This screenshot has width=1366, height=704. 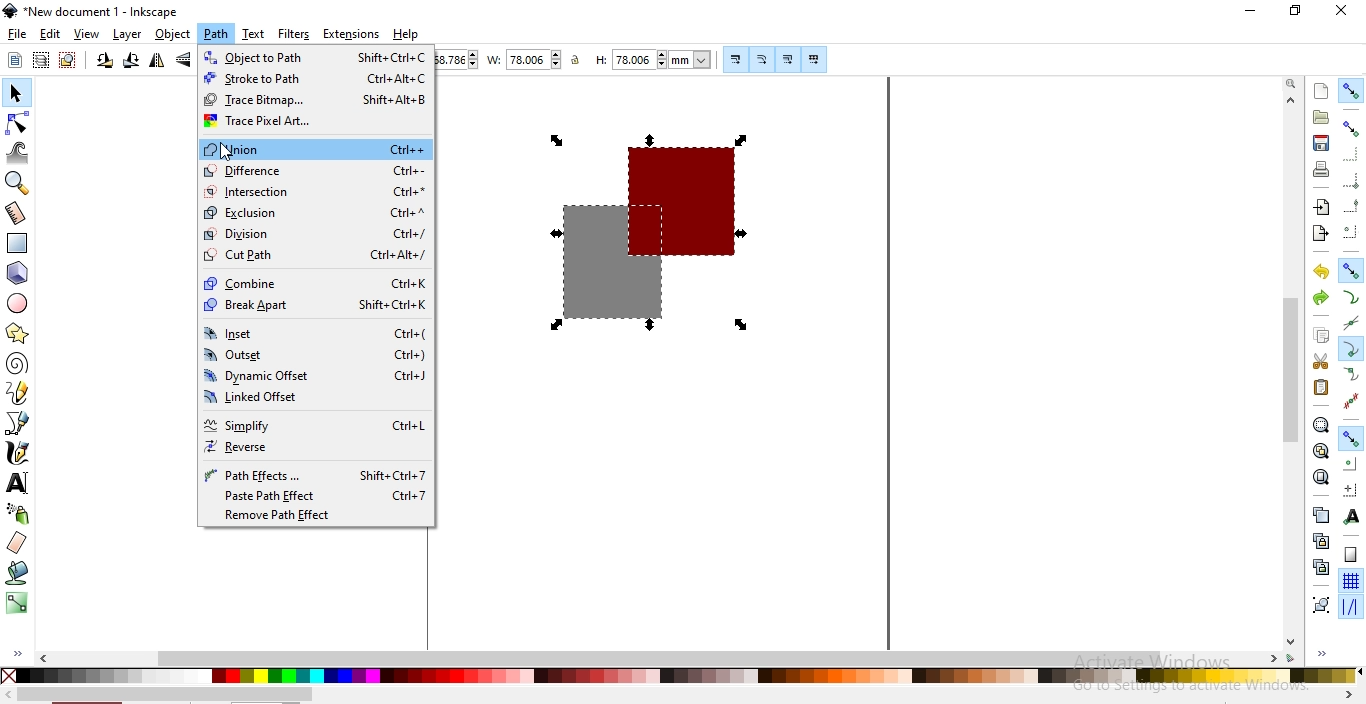 I want to click on scrollbar, so click(x=165, y=695).